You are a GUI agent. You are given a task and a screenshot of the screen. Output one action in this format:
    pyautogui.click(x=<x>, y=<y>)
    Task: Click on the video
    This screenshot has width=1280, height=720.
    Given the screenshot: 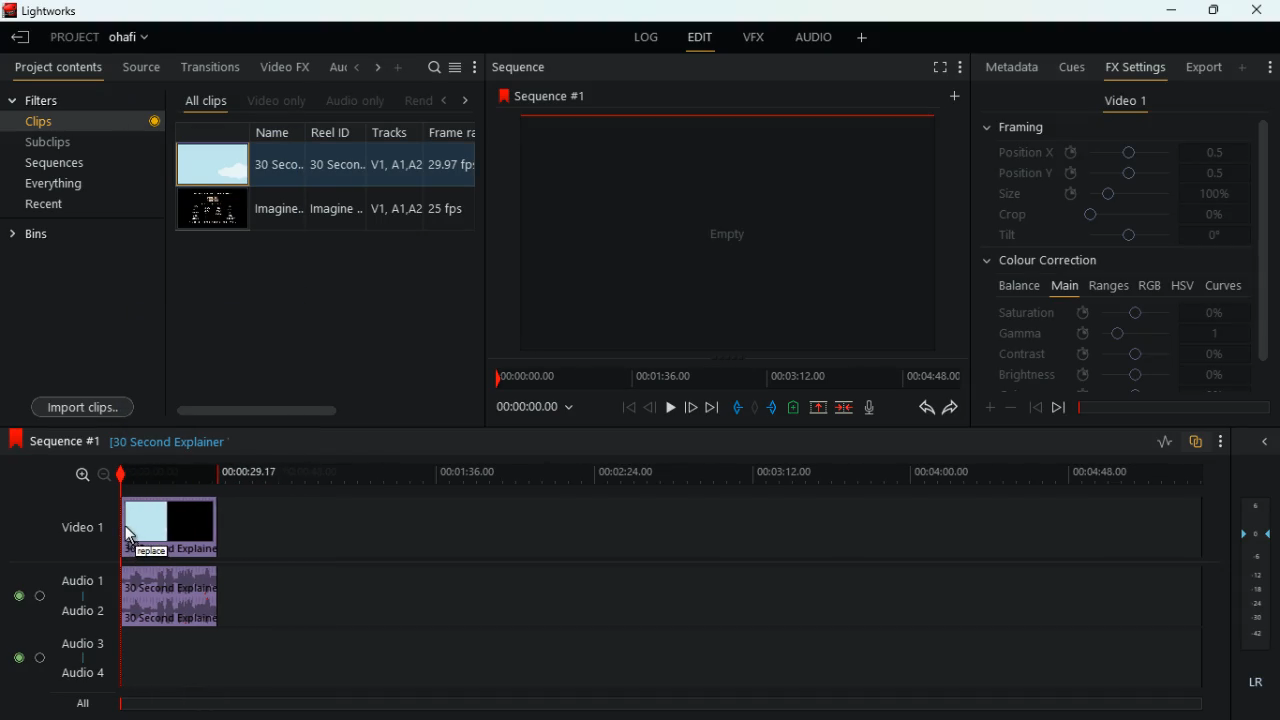 What is the action you would take?
    pyautogui.click(x=211, y=212)
    